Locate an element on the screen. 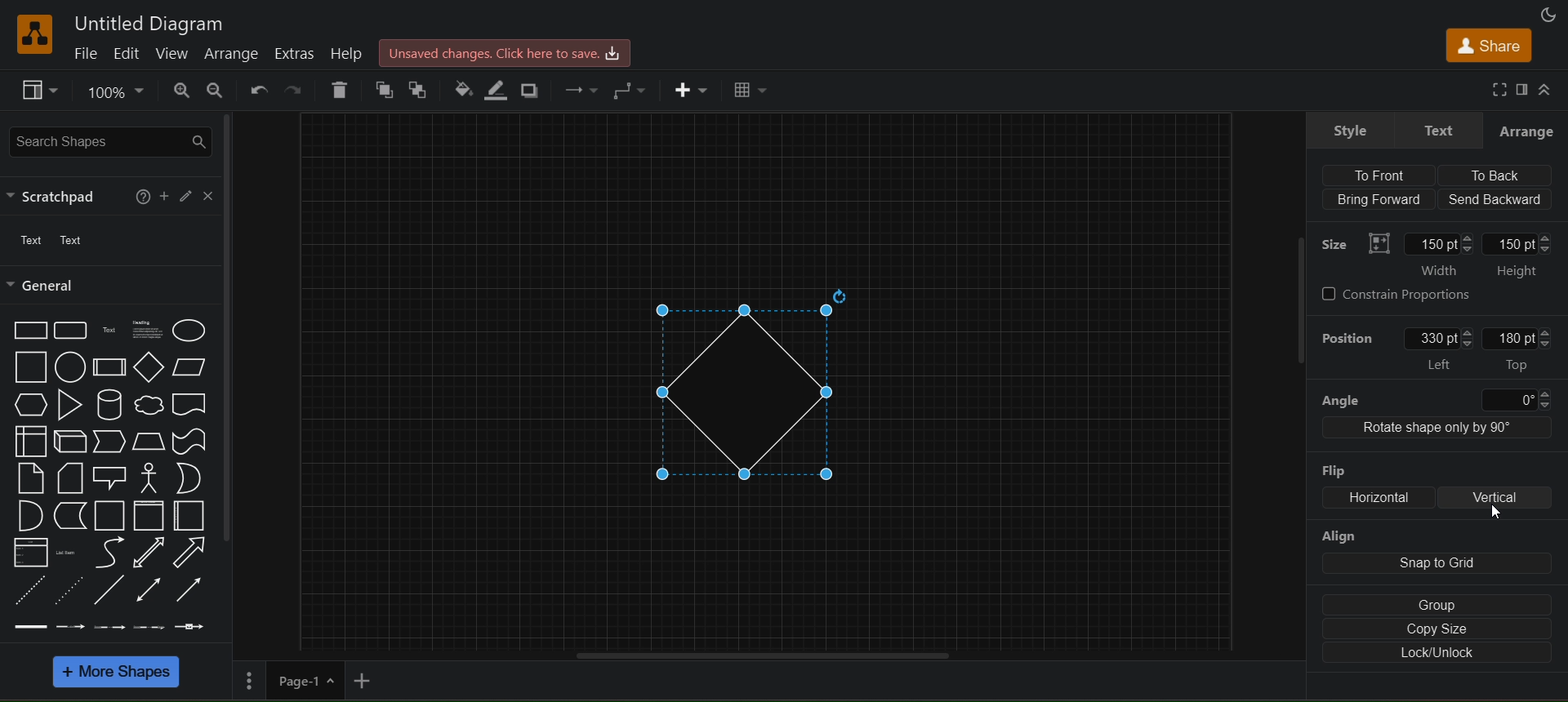 The height and width of the screenshot is (702, 1568). position is located at coordinates (1348, 335).